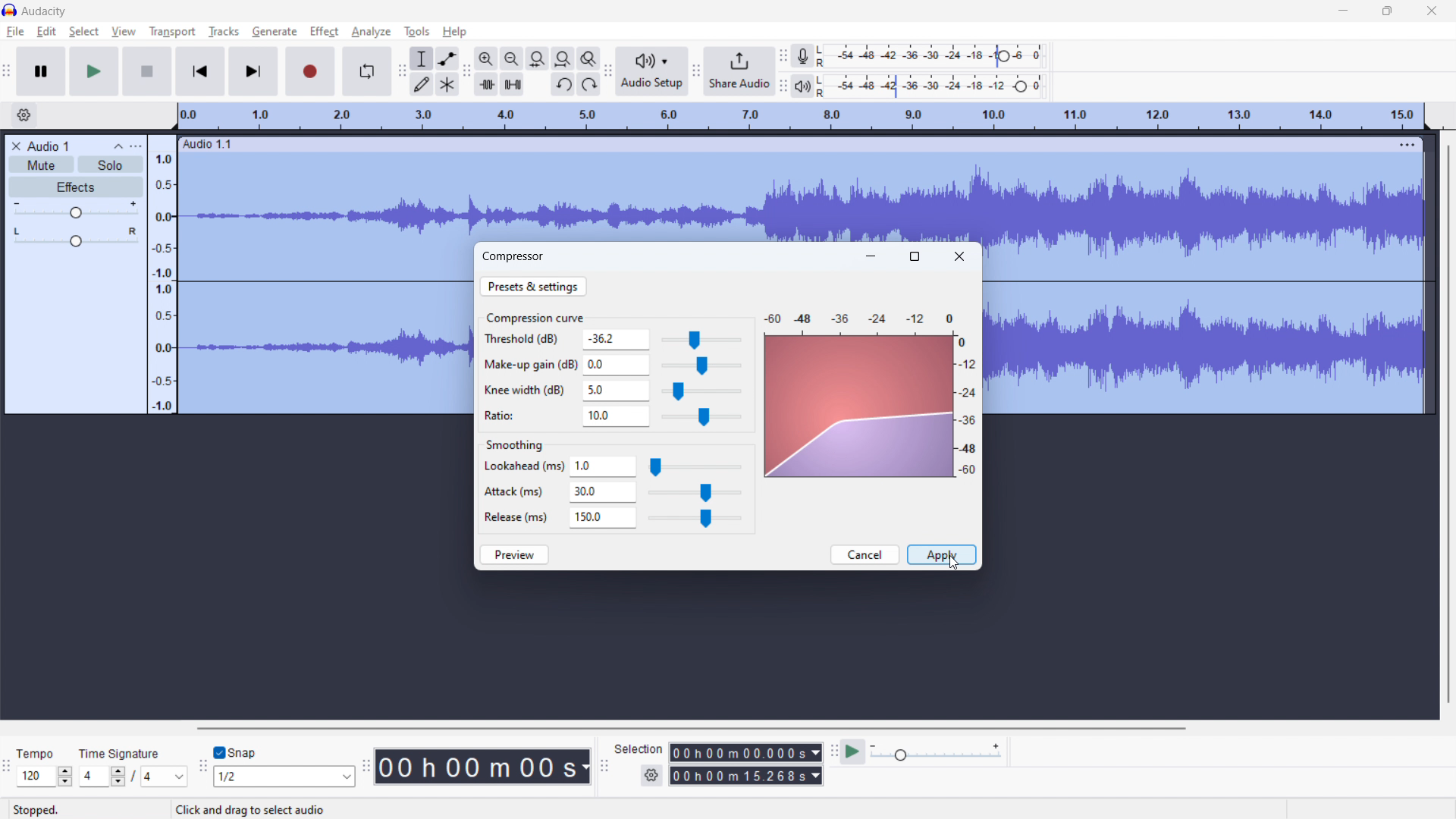 The image size is (1456, 819). What do you see at coordinates (14, 33) in the screenshot?
I see `file` at bounding box center [14, 33].